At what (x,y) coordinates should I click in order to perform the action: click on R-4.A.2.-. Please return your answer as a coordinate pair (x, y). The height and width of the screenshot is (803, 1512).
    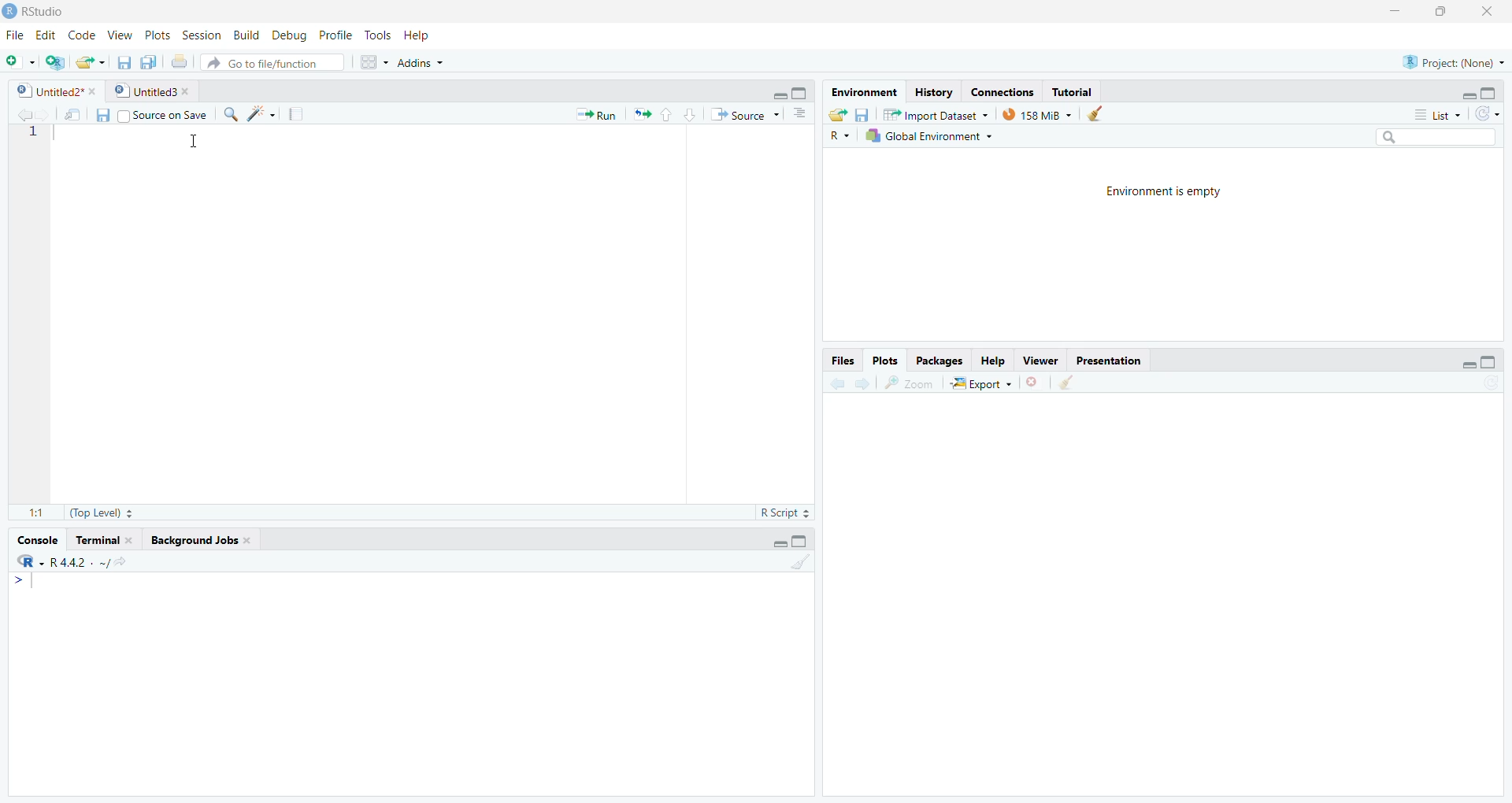
    Looking at the image, I should click on (81, 561).